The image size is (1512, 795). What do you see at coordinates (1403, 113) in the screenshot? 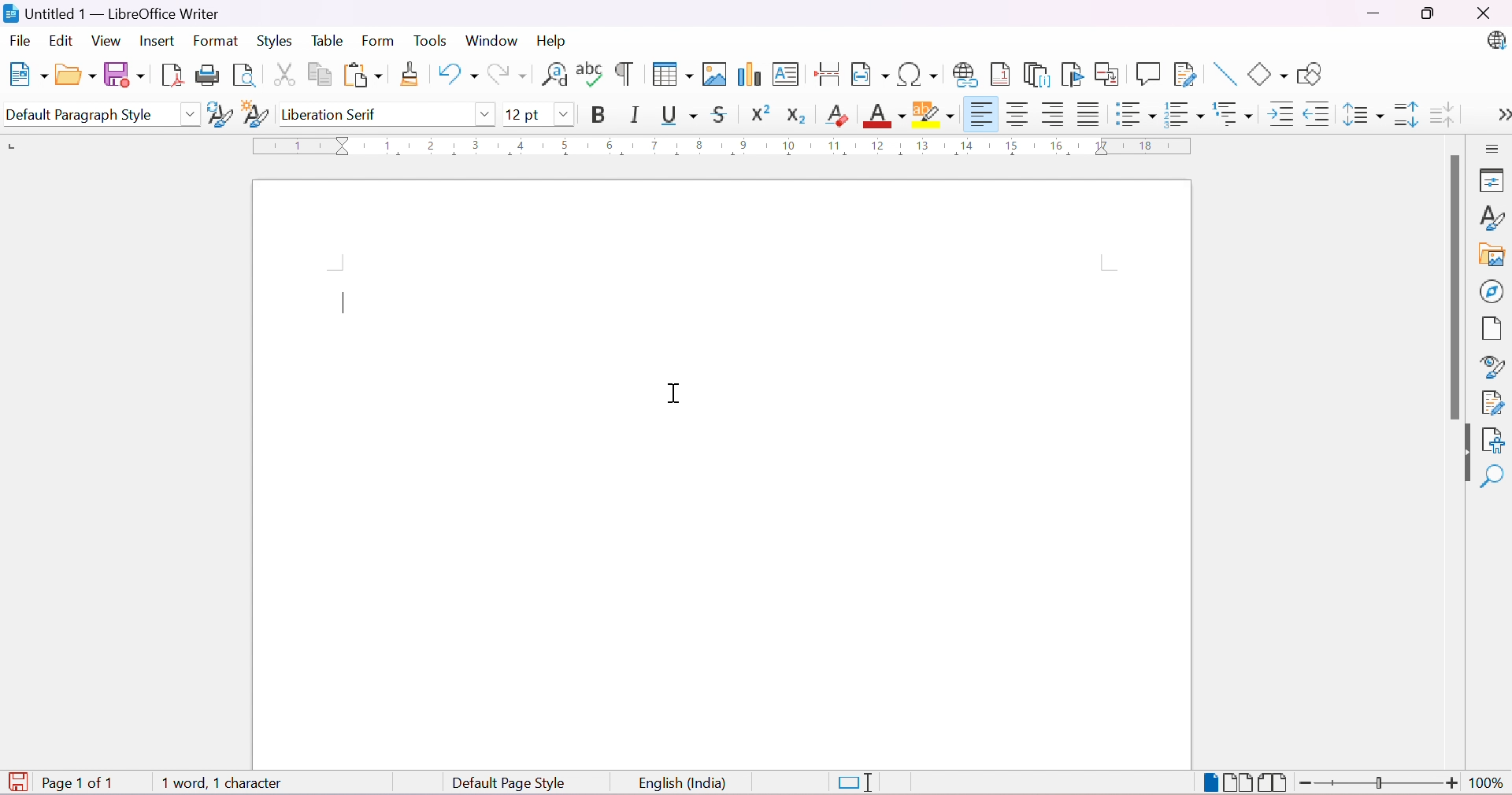
I see `Increase Paragraph Spacing` at bounding box center [1403, 113].